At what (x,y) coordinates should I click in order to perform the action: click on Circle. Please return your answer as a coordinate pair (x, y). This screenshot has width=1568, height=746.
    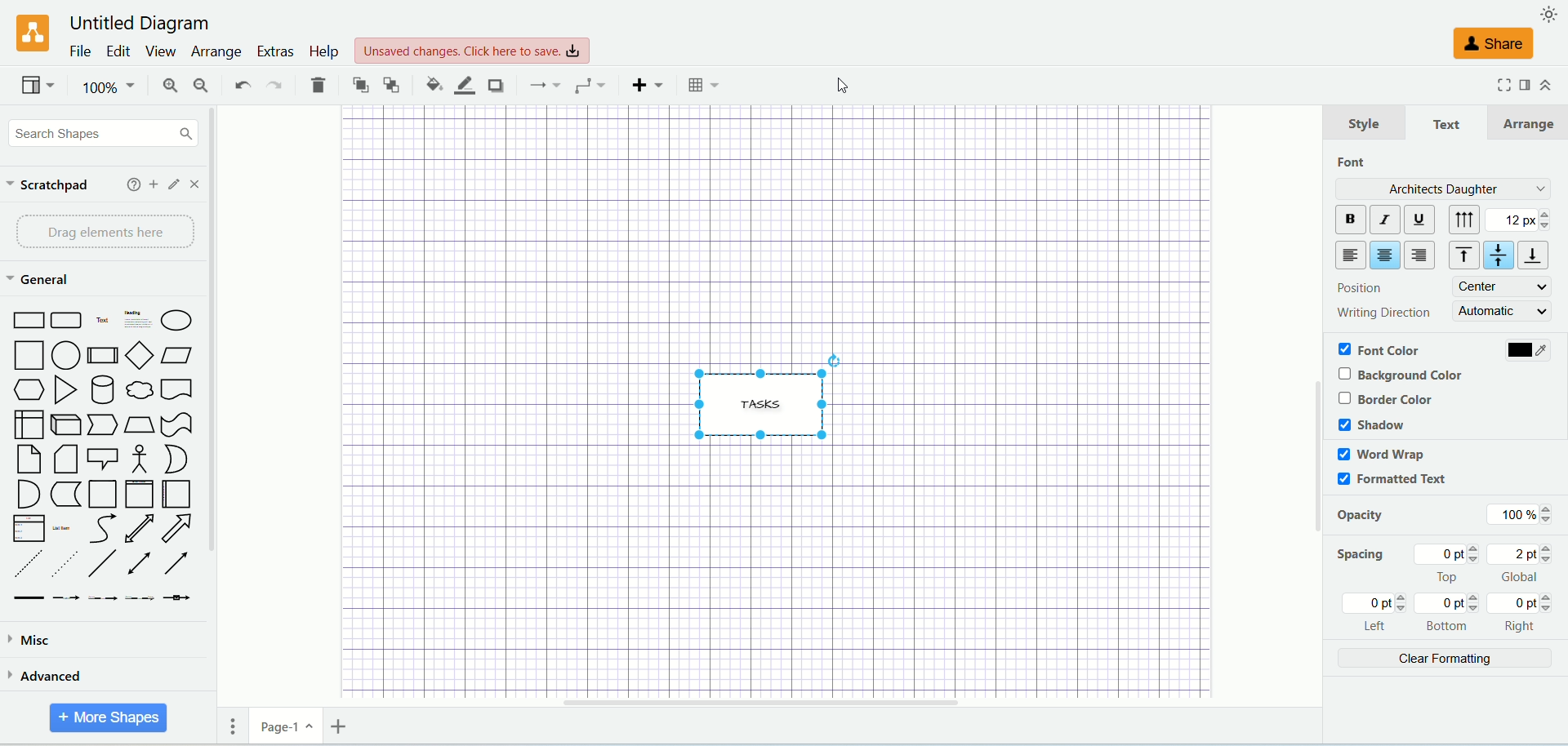
    Looking at the image, I should click on (67, 355).